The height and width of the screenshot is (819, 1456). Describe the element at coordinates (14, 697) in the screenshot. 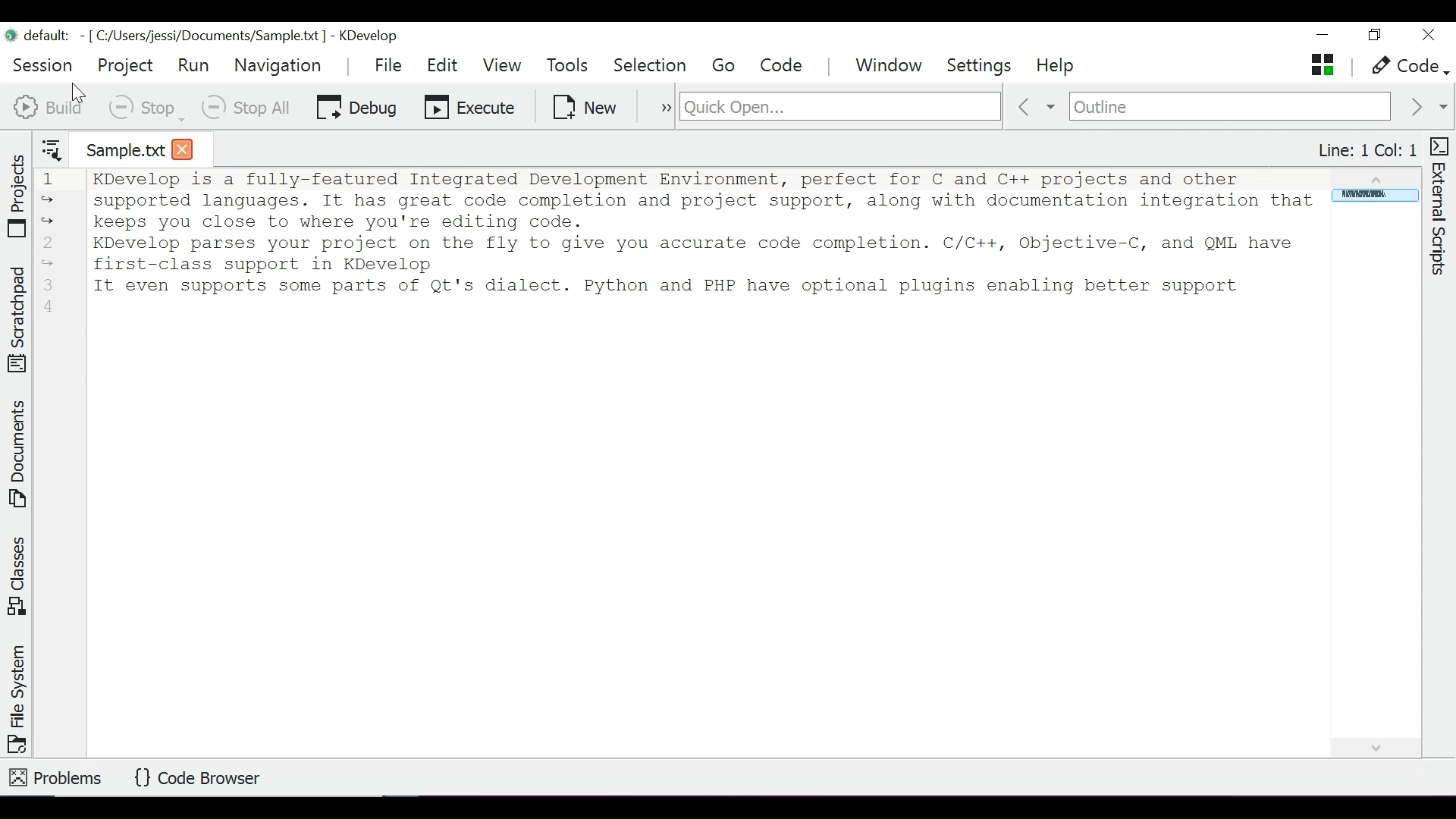

I see `Toggle File System tool view` at that location.